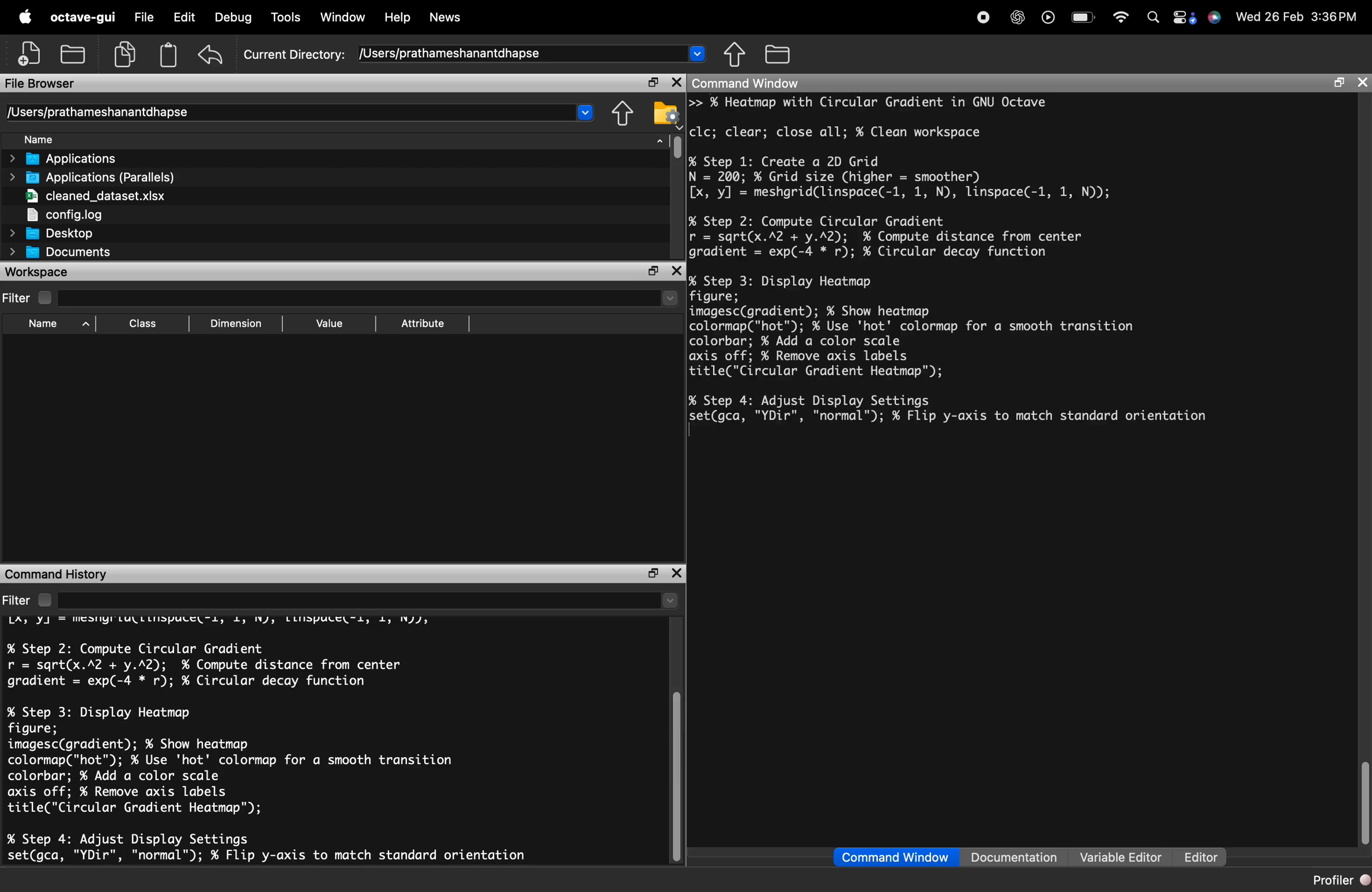 This screenshot has width=1372, height=892. Describe the element at coordinates (1086, 17) in the screenshot. I see `battery` at that location.